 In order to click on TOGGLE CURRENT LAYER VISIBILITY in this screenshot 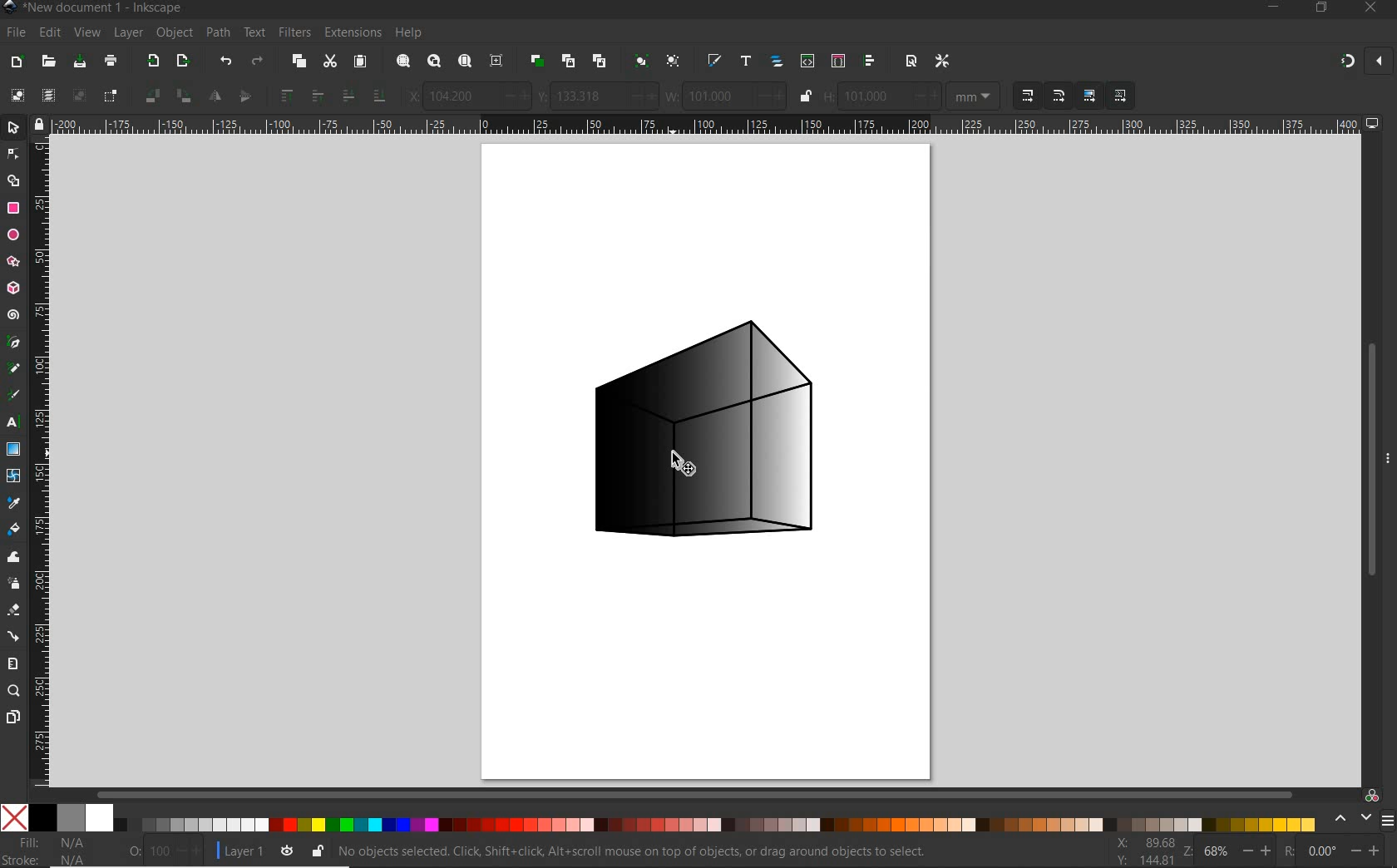, I will do `click(288, 851)`.